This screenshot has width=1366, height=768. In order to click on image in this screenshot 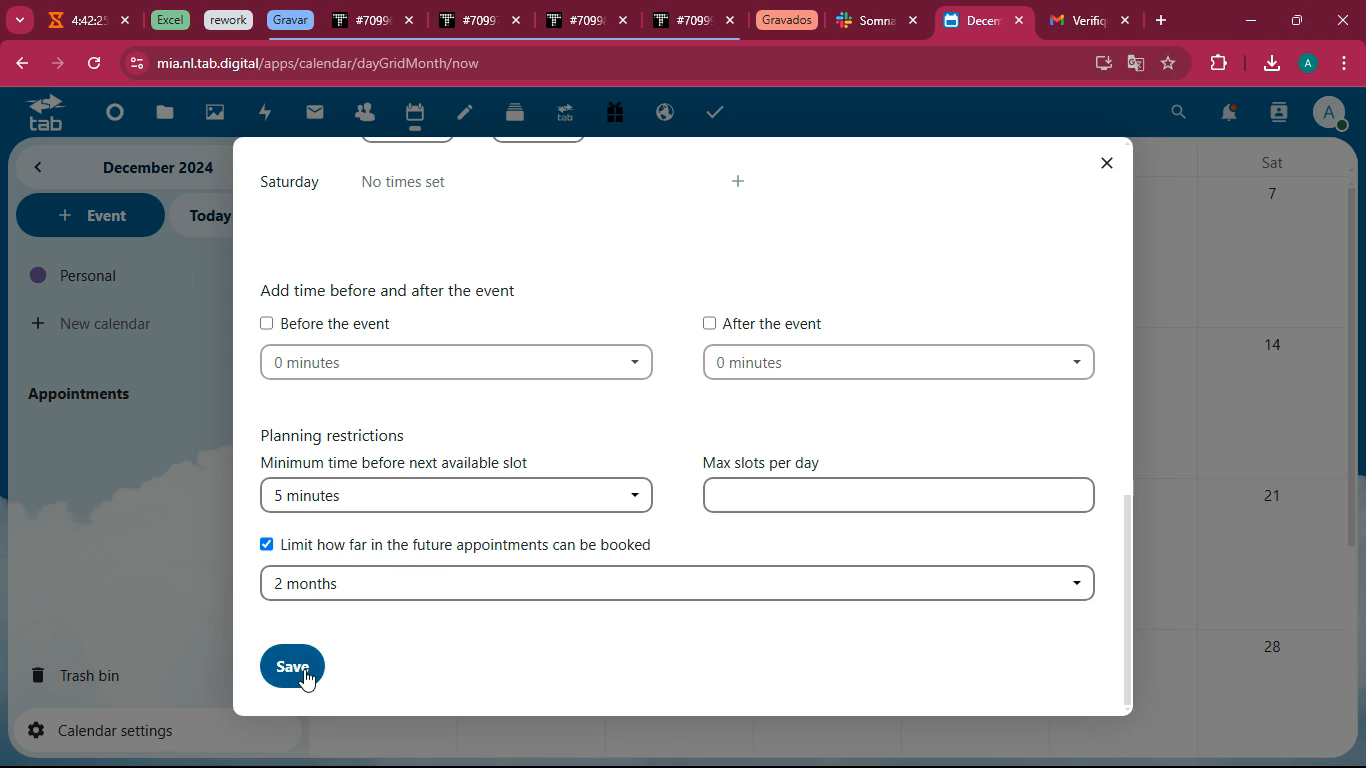, I will do `click(216, 115)`.